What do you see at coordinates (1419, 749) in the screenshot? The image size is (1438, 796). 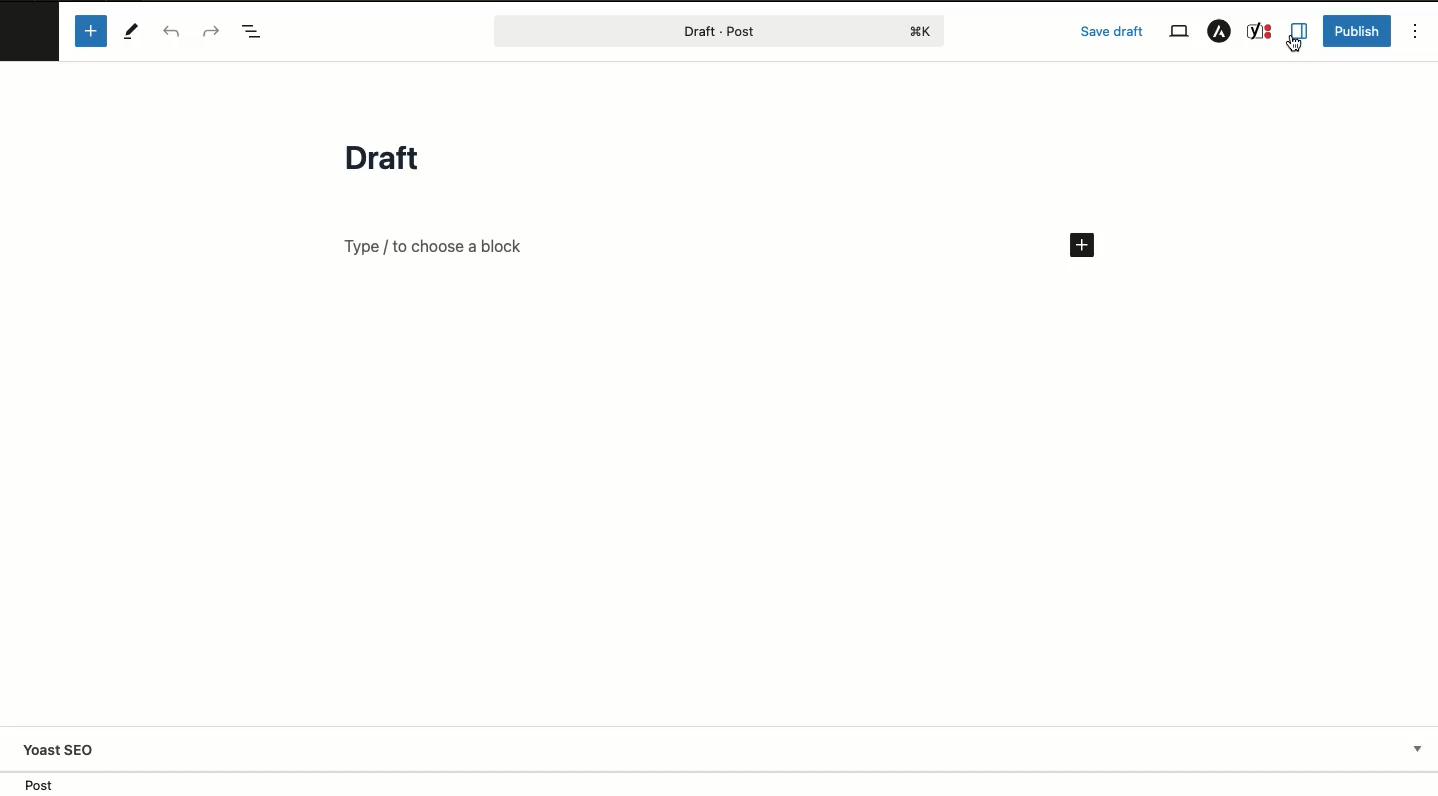 I see `Drop-down ` at bounding box center [1419, 749].